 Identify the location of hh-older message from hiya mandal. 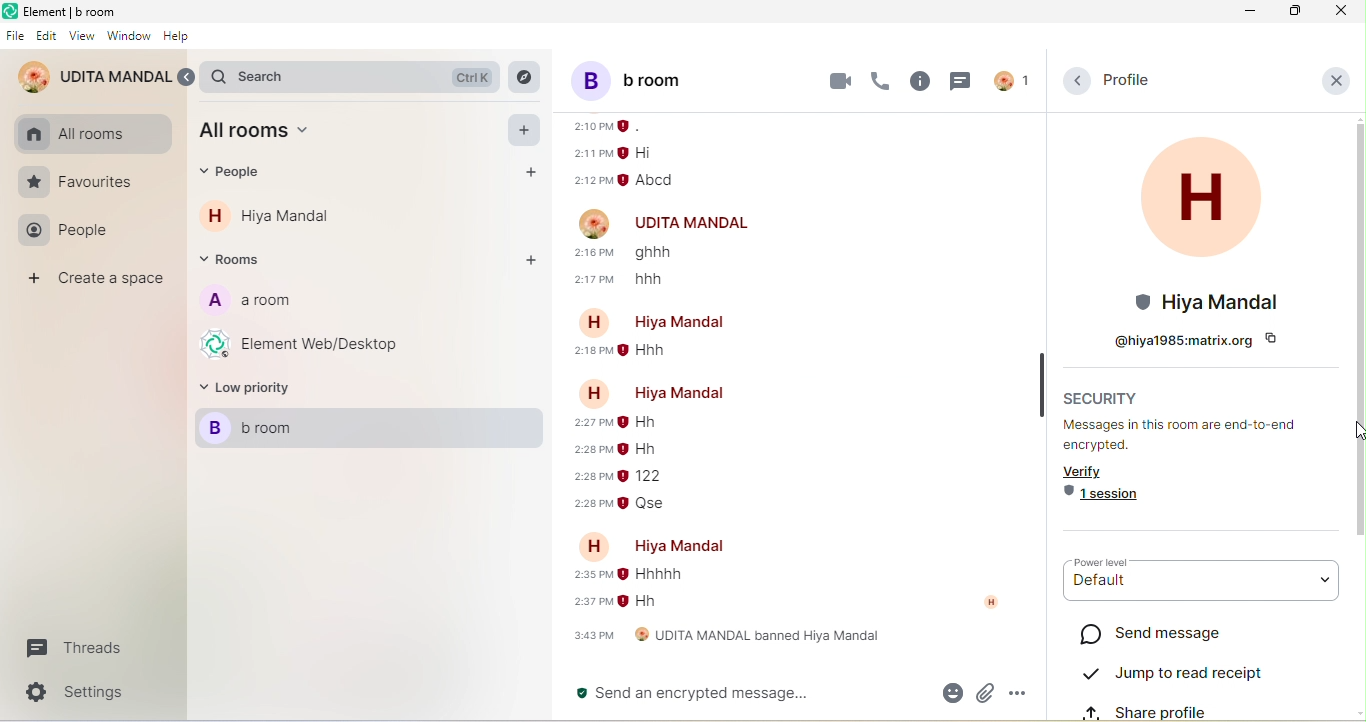
(643, 604).